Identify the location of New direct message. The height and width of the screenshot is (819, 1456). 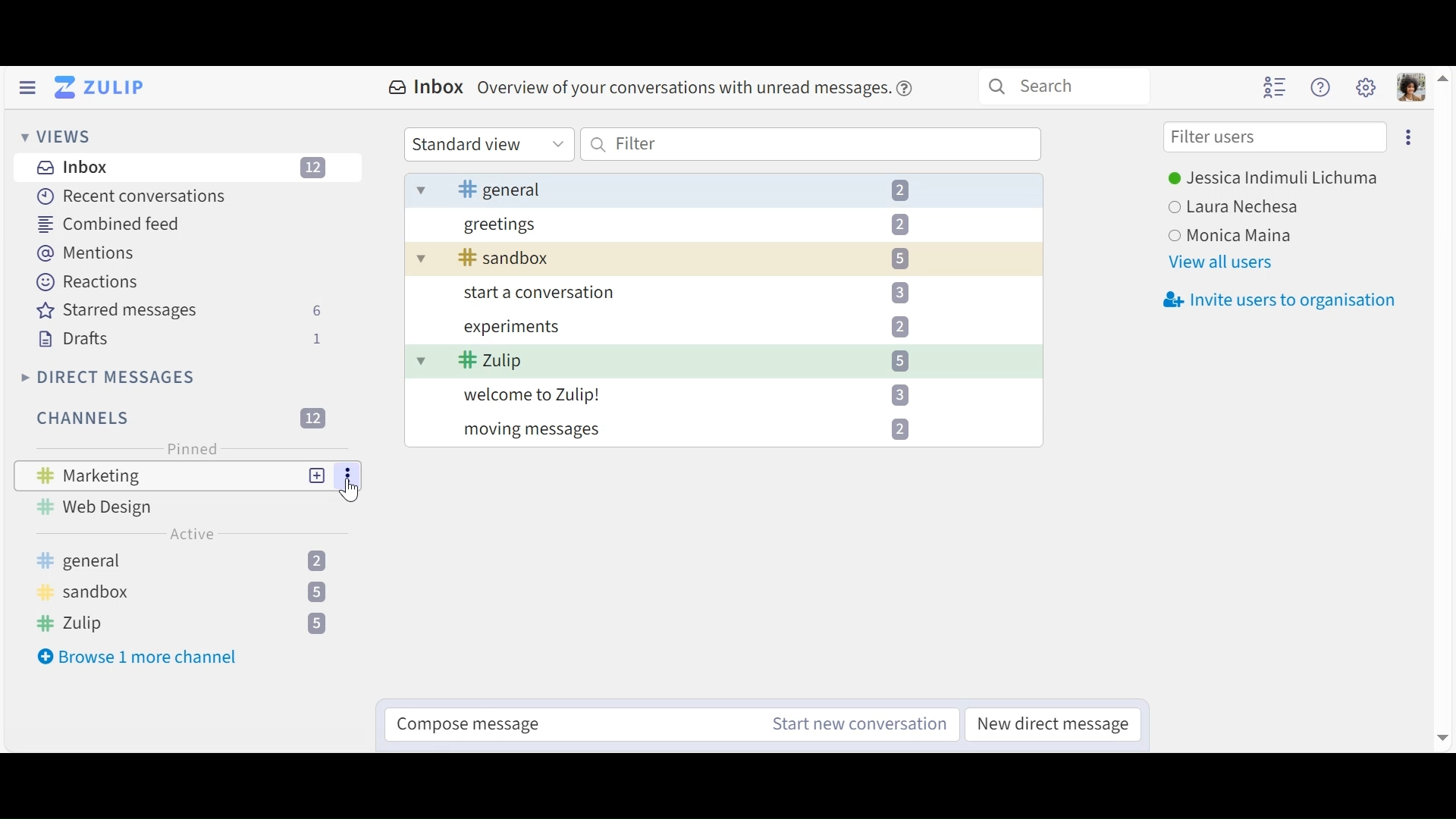
(1056, 723).